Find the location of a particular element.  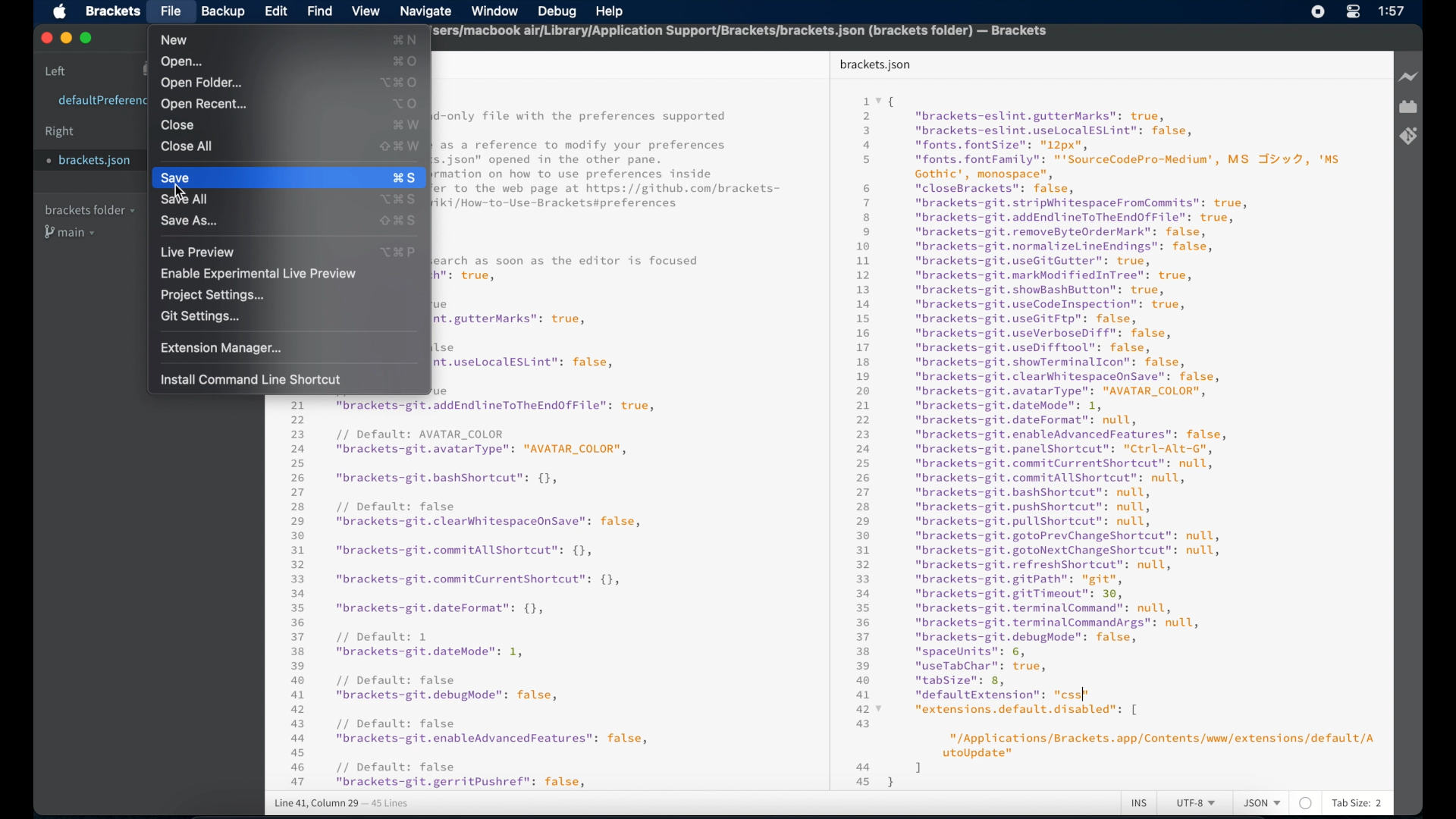

brackets.json is located at coordinates (87, 162).